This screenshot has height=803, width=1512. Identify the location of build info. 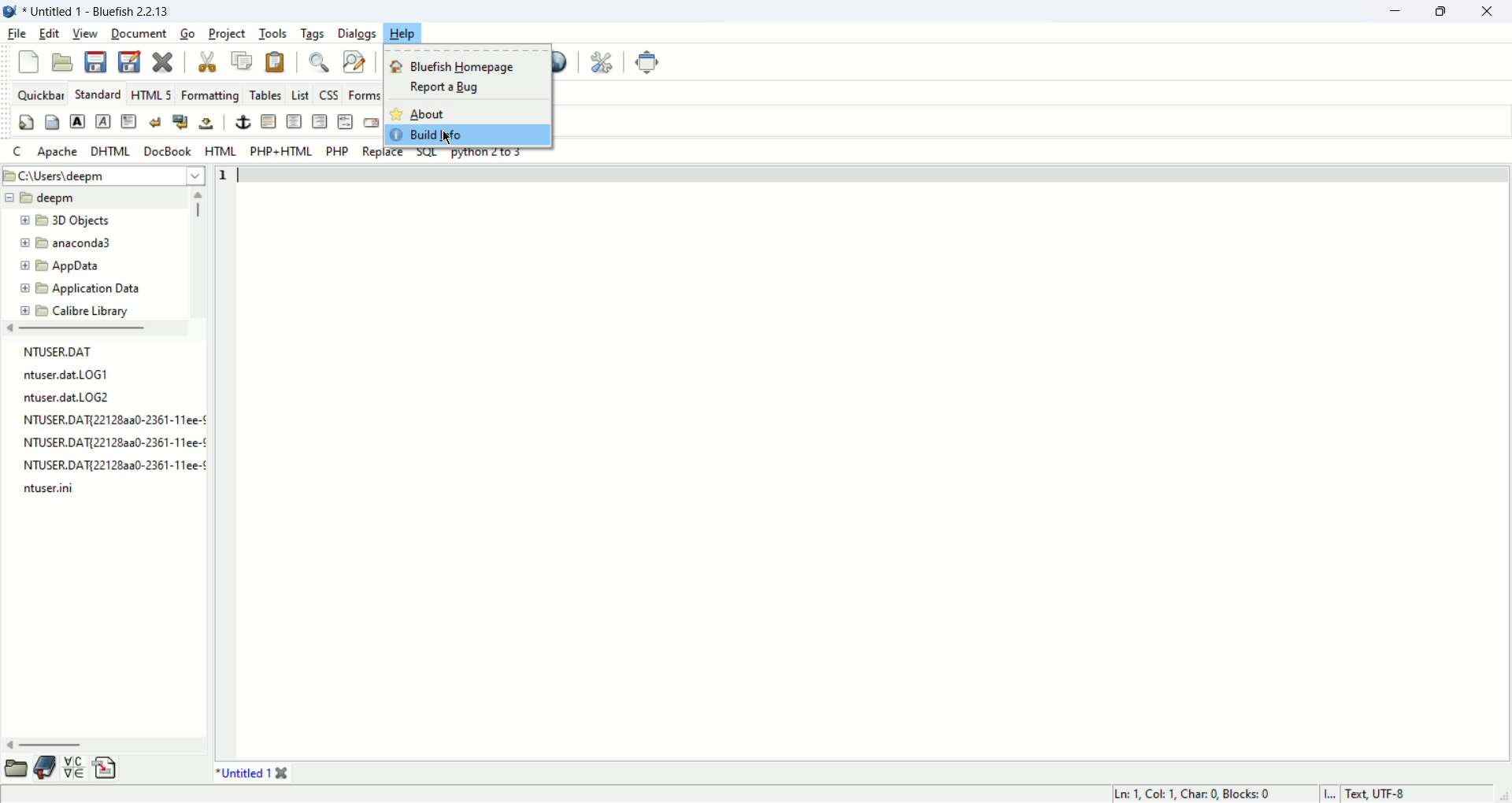
(462, 135).